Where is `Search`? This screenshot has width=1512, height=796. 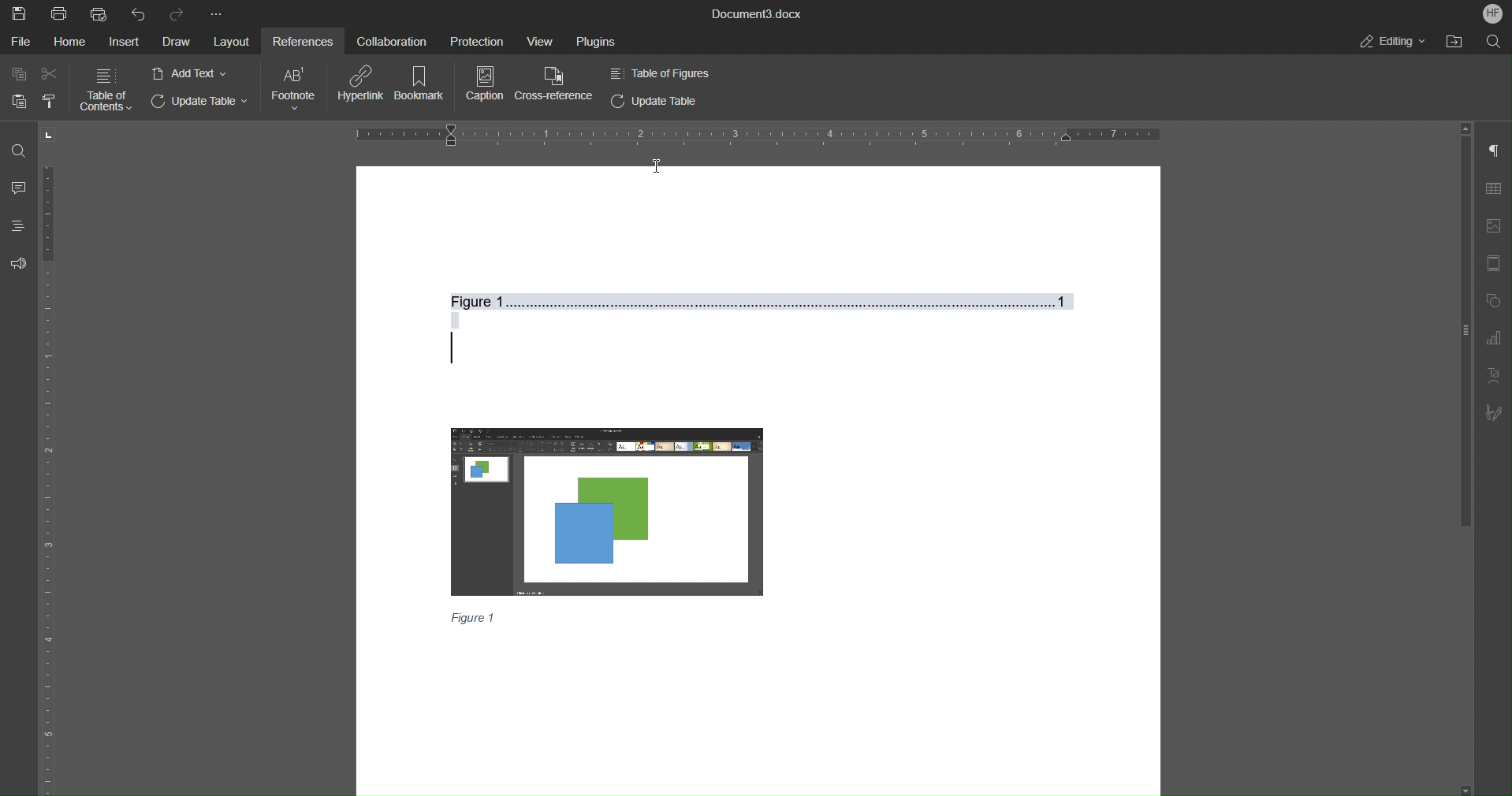 Search is located at coordinates (1497, 42).